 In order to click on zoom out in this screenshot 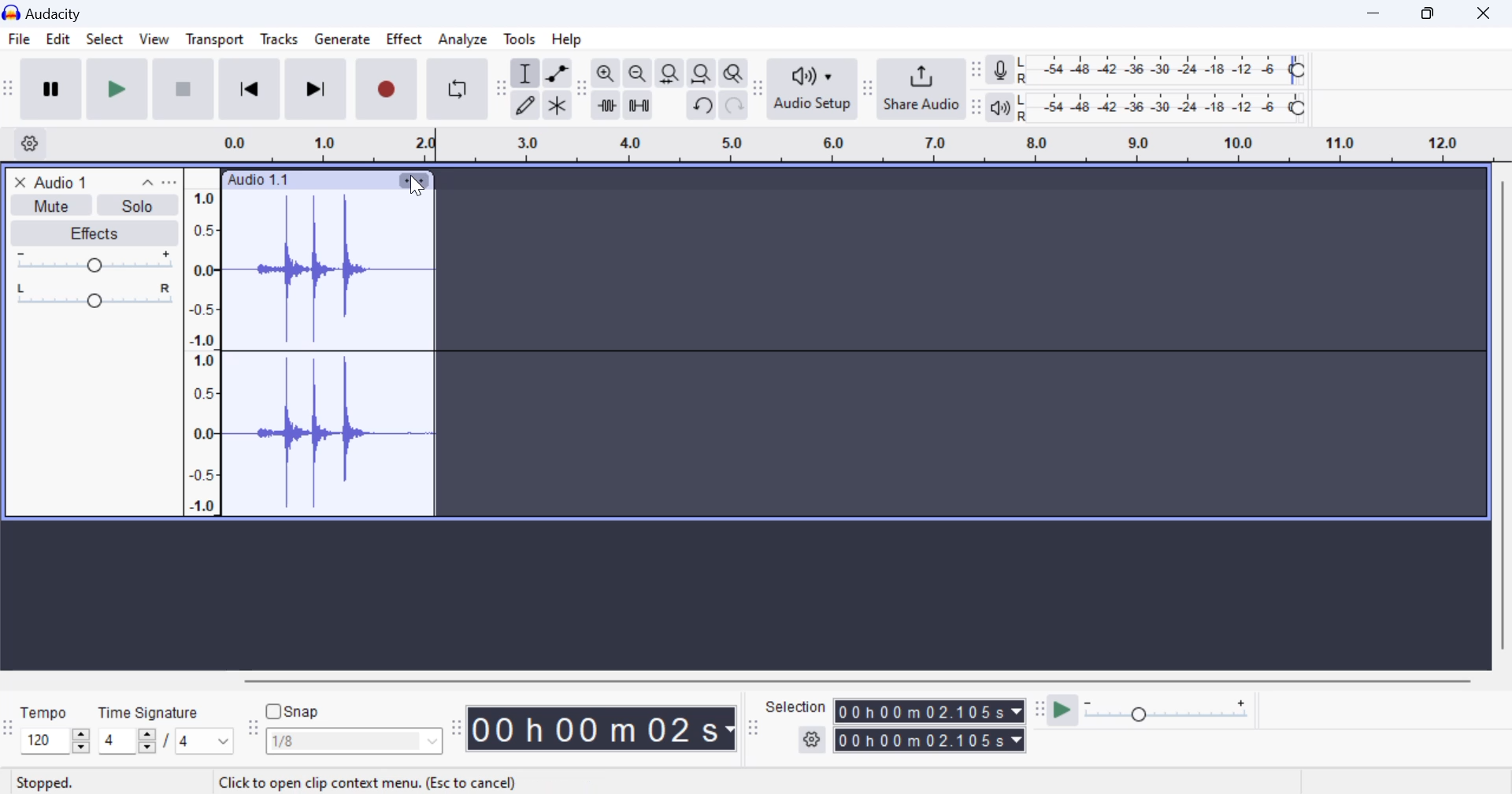, I will do `click(637, 75)`.